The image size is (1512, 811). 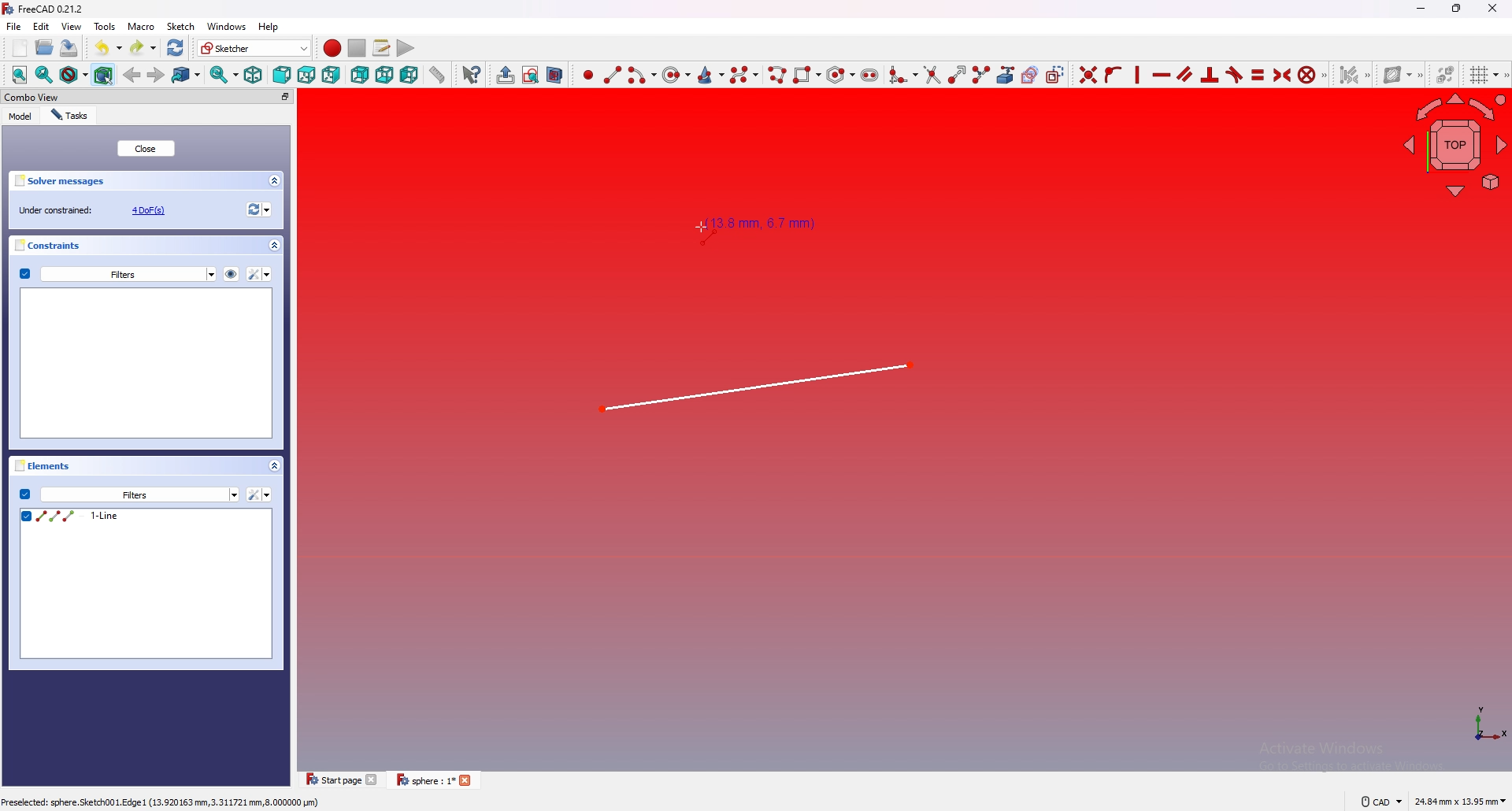 I want to click on Preselected sphere.Sketch001.Edge1 (13.920163 mm, 3,311721 mm, 8,000000 um), so click(x=162, y=804).